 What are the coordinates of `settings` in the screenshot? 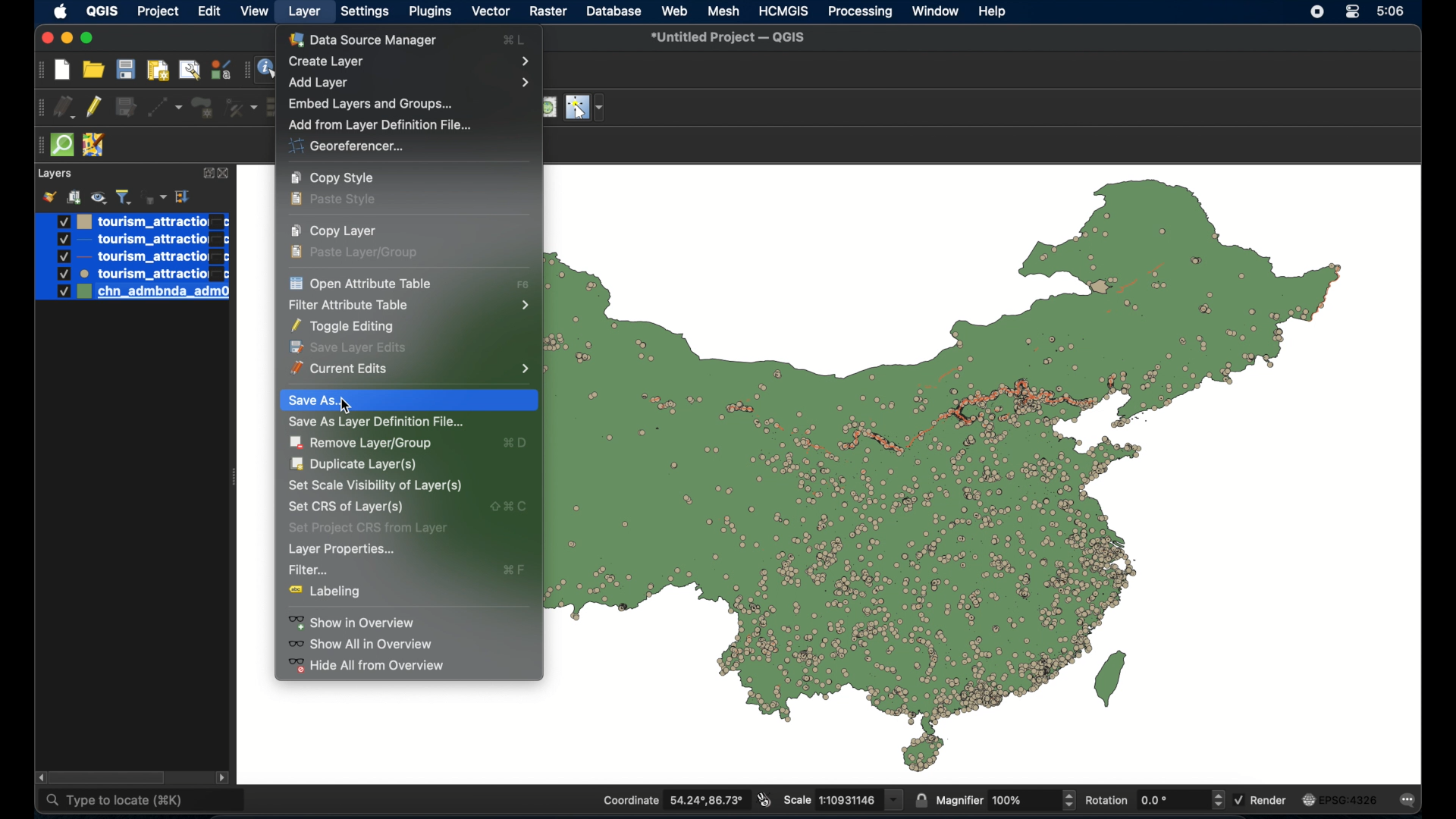 It's located at (364, 13).